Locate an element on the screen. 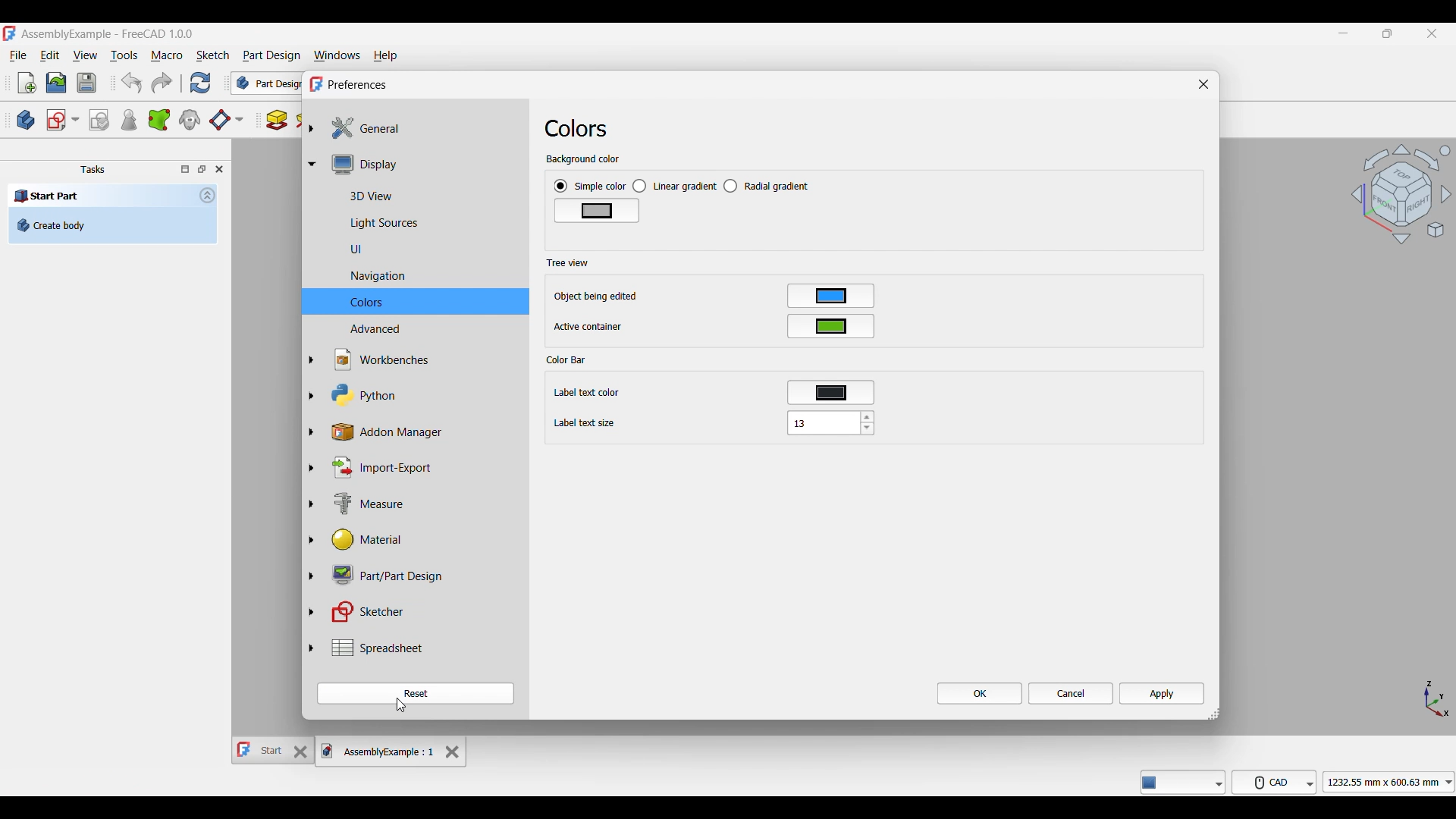 This screenshot has width=1456, height=819. Label text color is located at coordinates (586, 393).